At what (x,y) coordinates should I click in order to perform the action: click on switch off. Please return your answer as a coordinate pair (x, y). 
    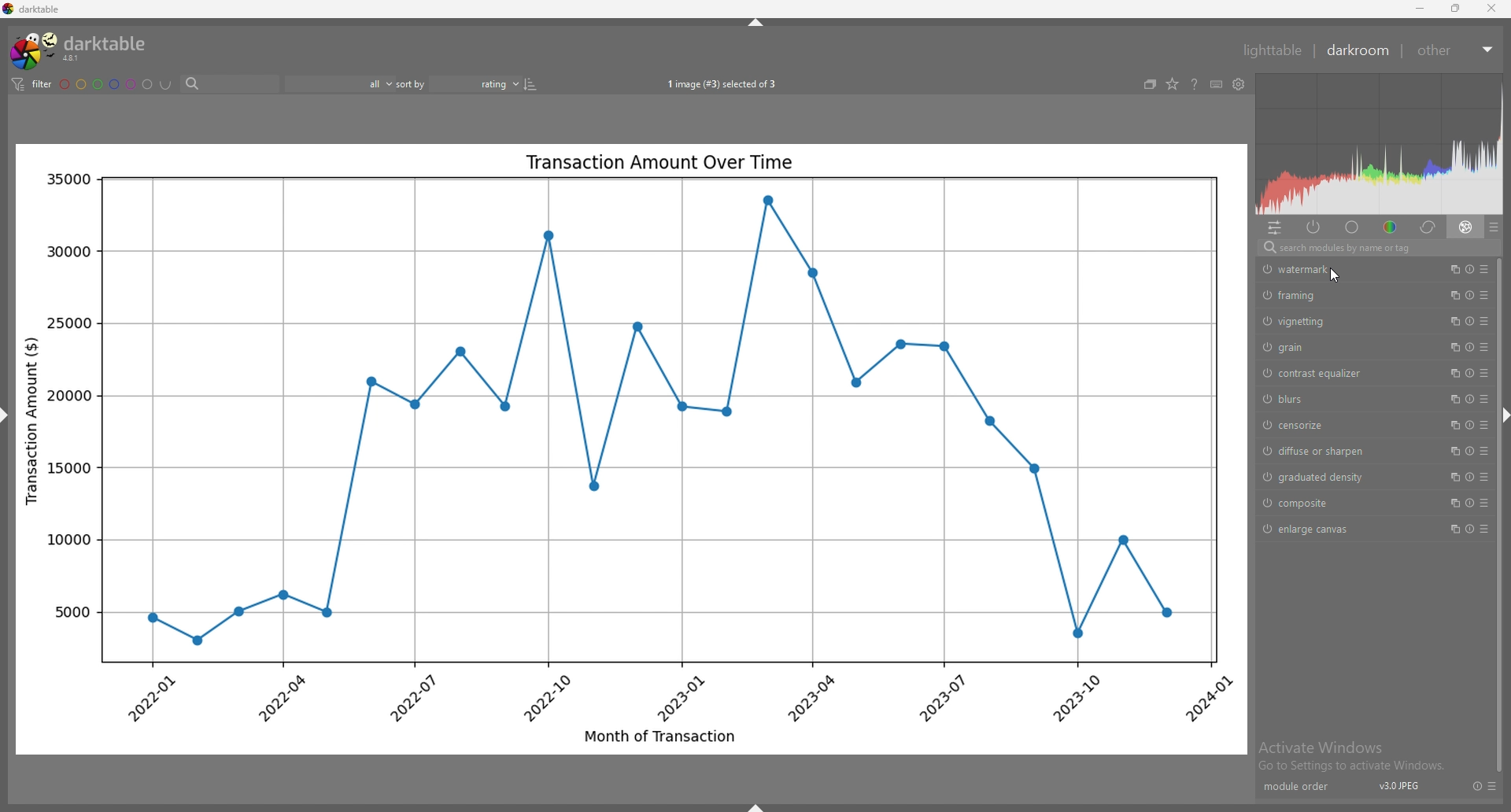
    Looking at the image, I should click on (1267, 398).